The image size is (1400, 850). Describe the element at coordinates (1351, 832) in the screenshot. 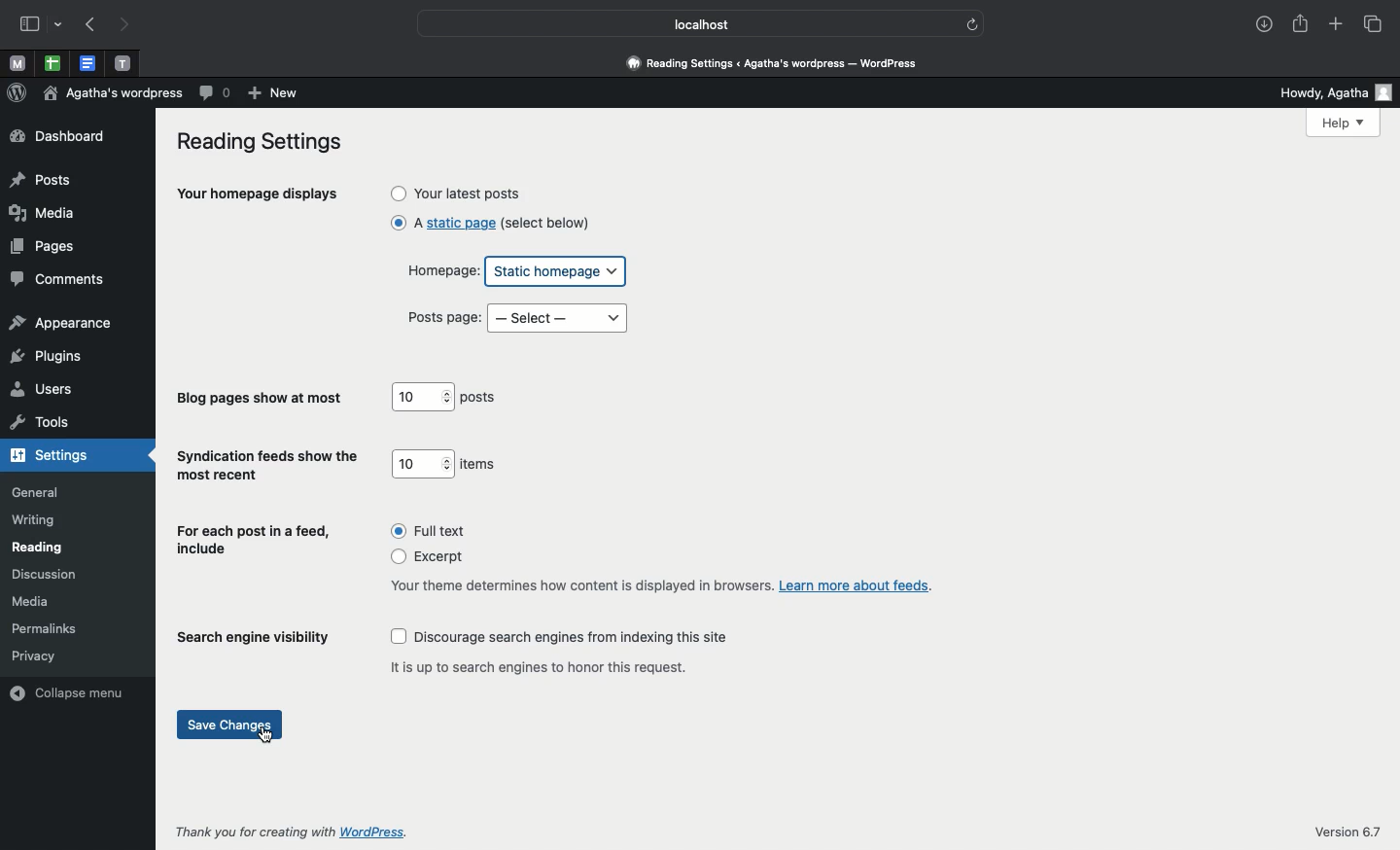

I see `Version 6.7` at that location.